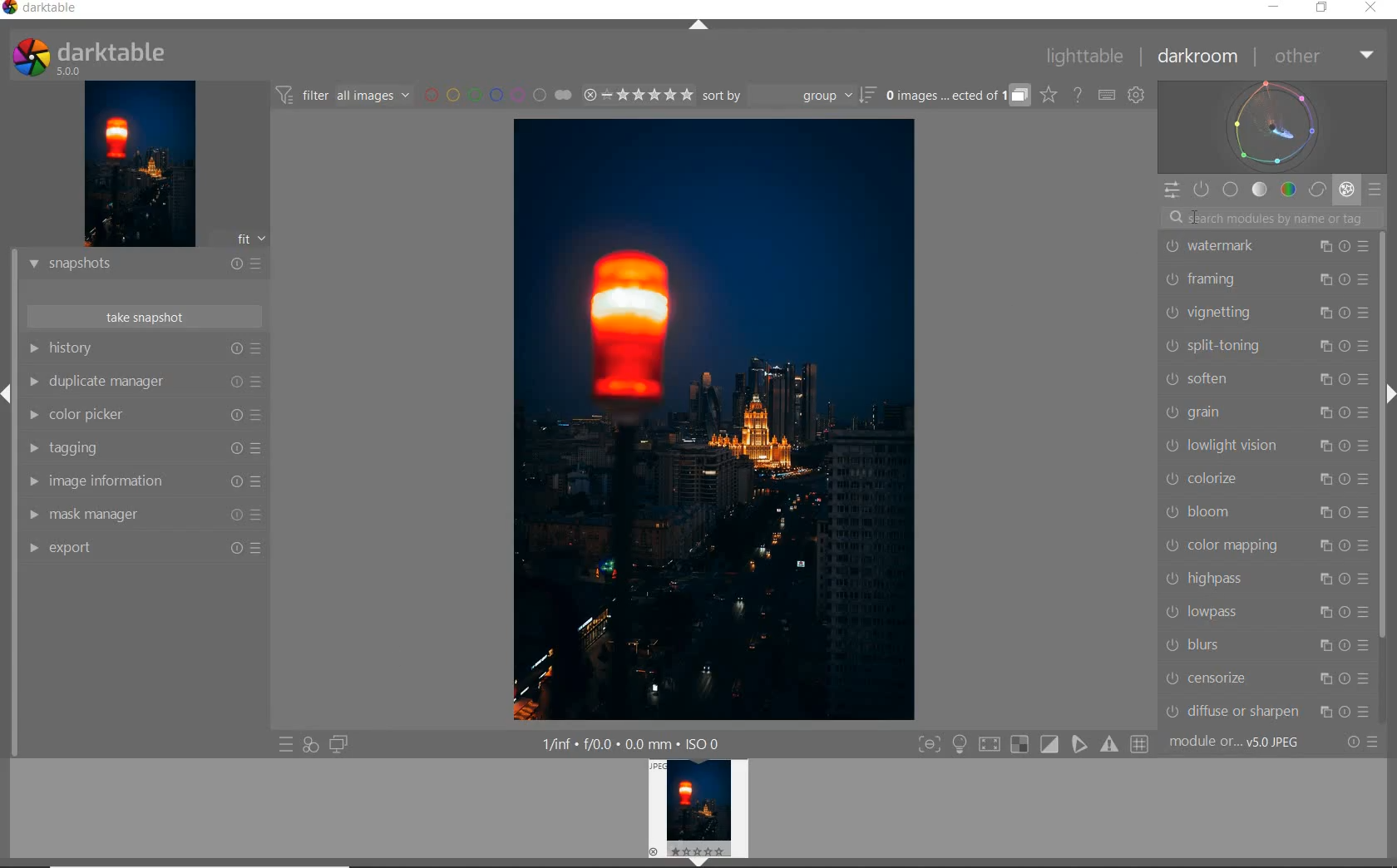 This screenshot has width=1397, height=868. What do you see at coordinates (1214, 678) in the screenshot?
I see `CENSORIZE` at bounding box center [1214, 678].